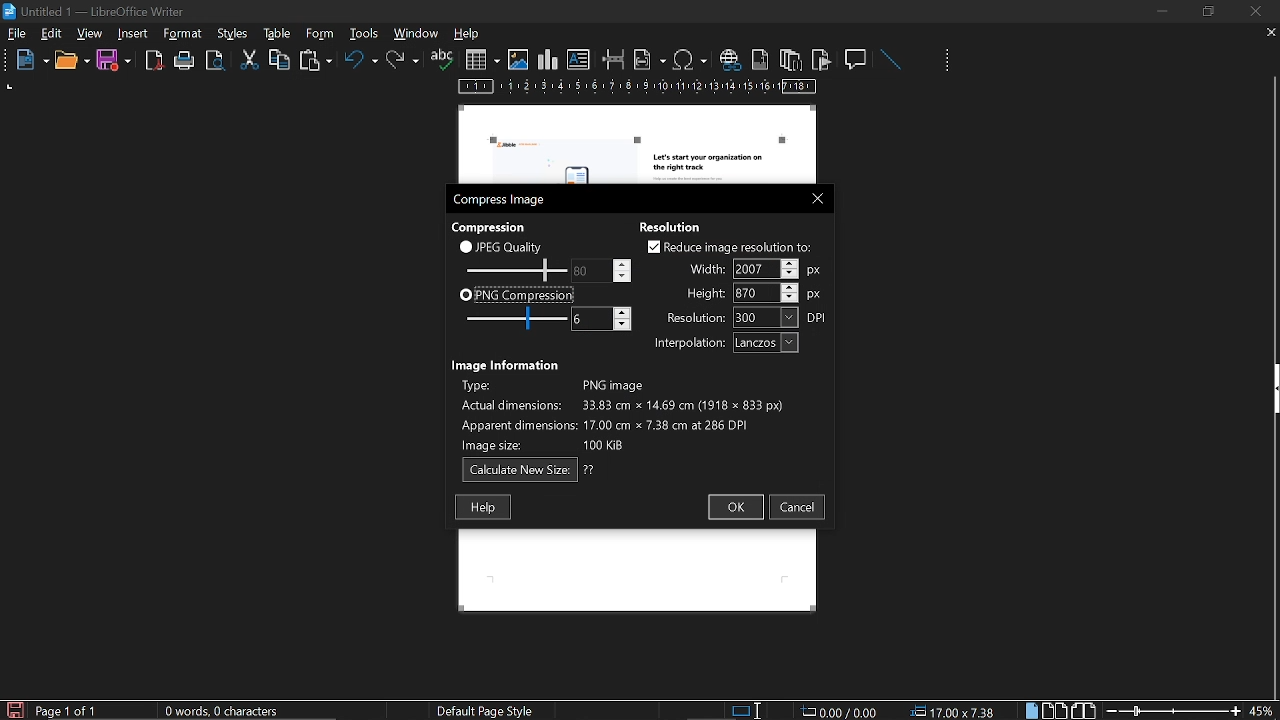 The height and width of the screenshot is (720, 1280). What do you see at coordinates (622, 412) in the screenshot?
I see `image info` at bounding box center [622, 412].